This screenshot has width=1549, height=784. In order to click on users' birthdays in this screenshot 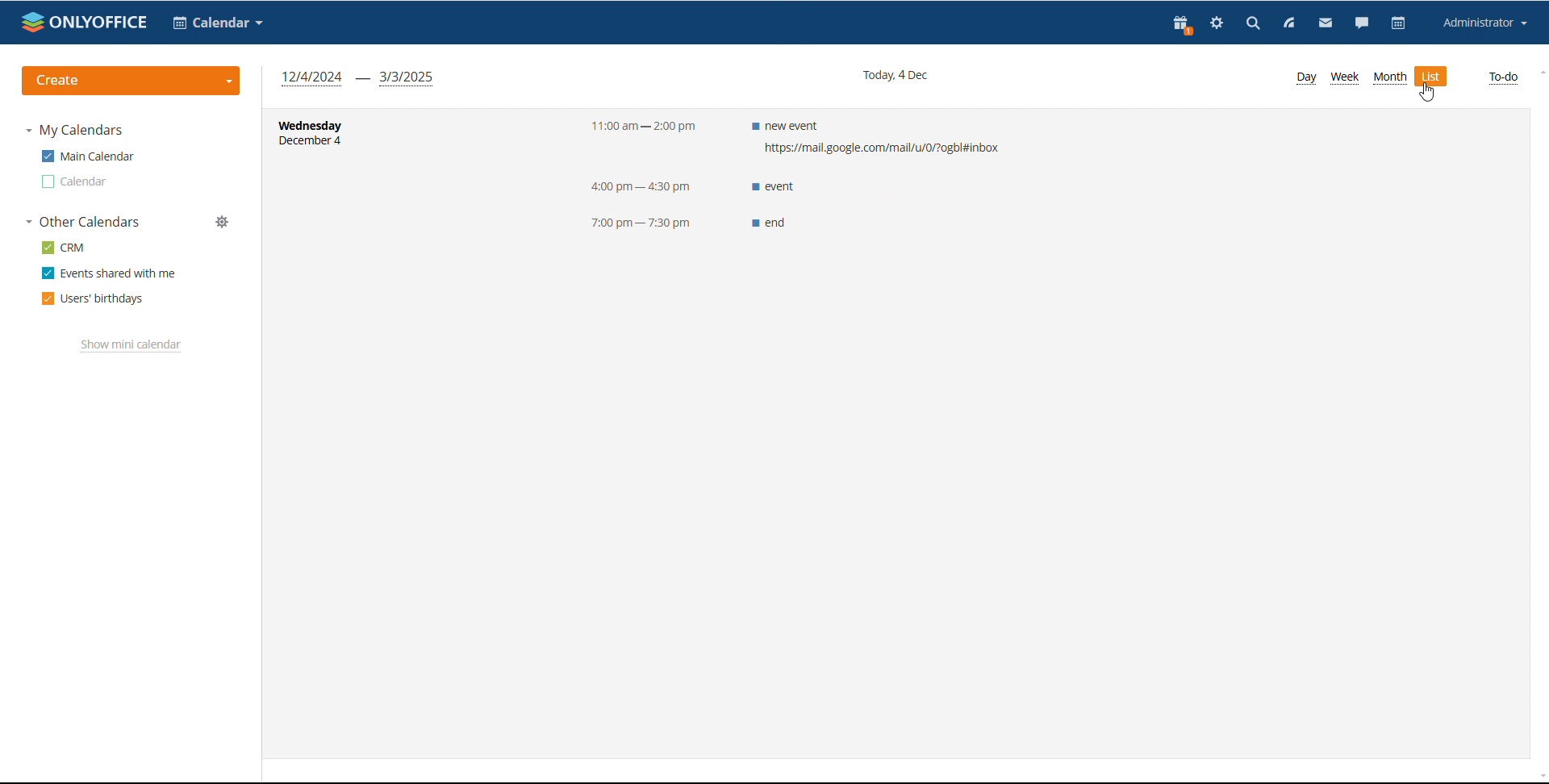, I will do `click(92, 299)`.